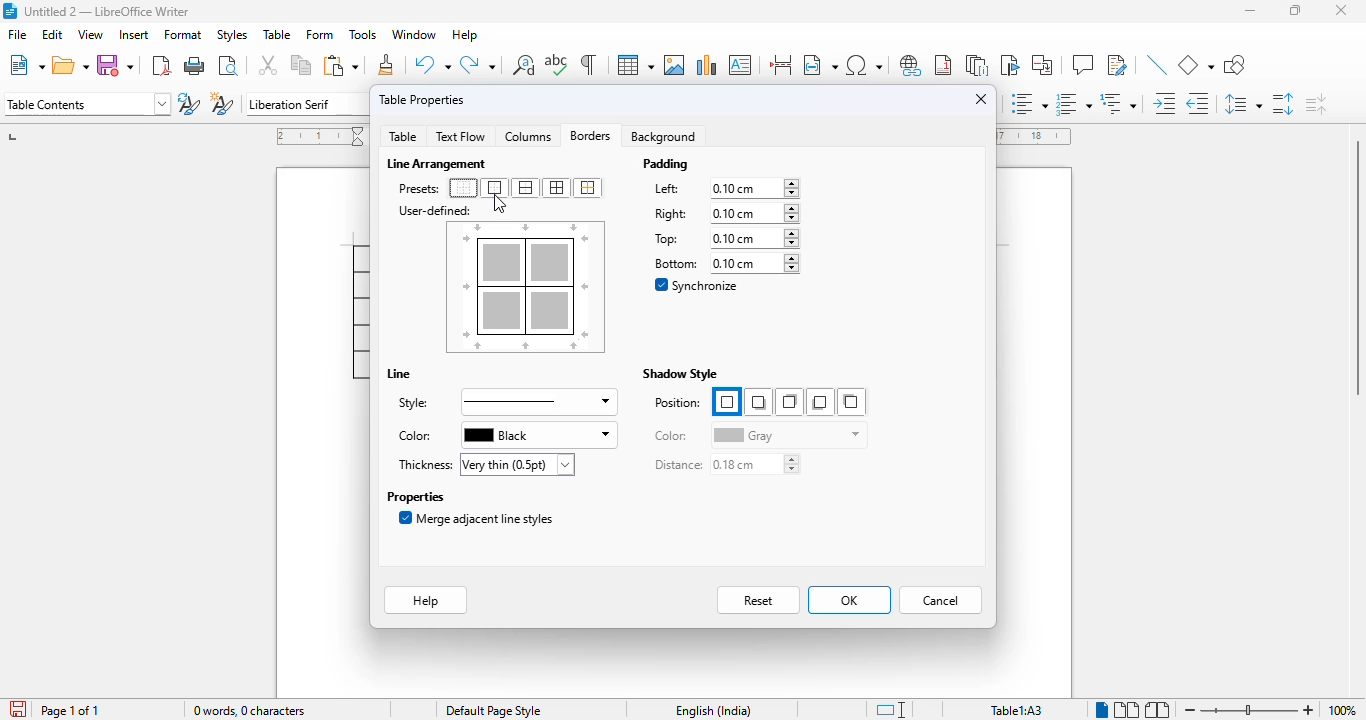  I want to click on insert, so click(135, 35).